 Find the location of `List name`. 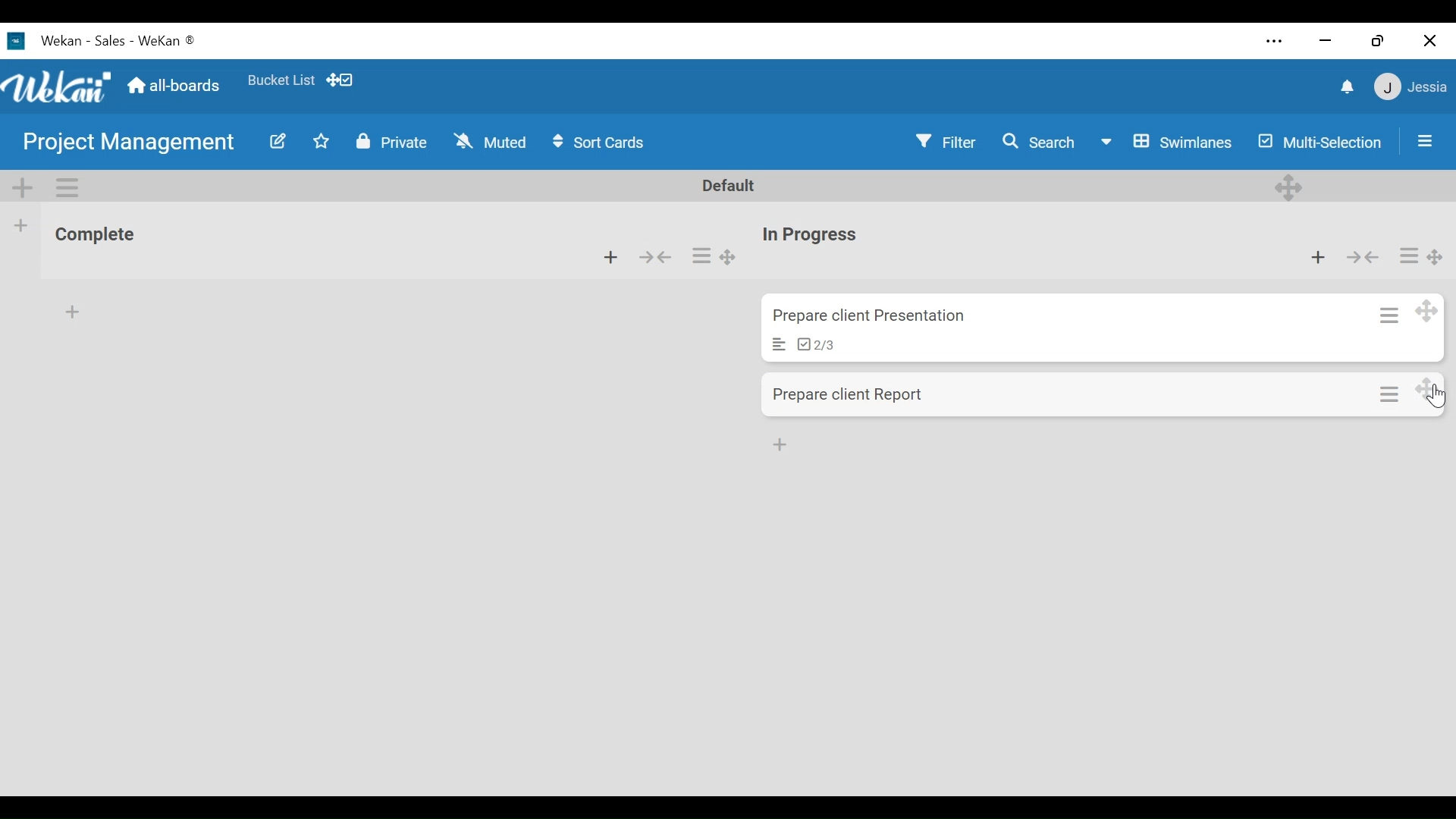

List name is located at coordinates (94, 237).